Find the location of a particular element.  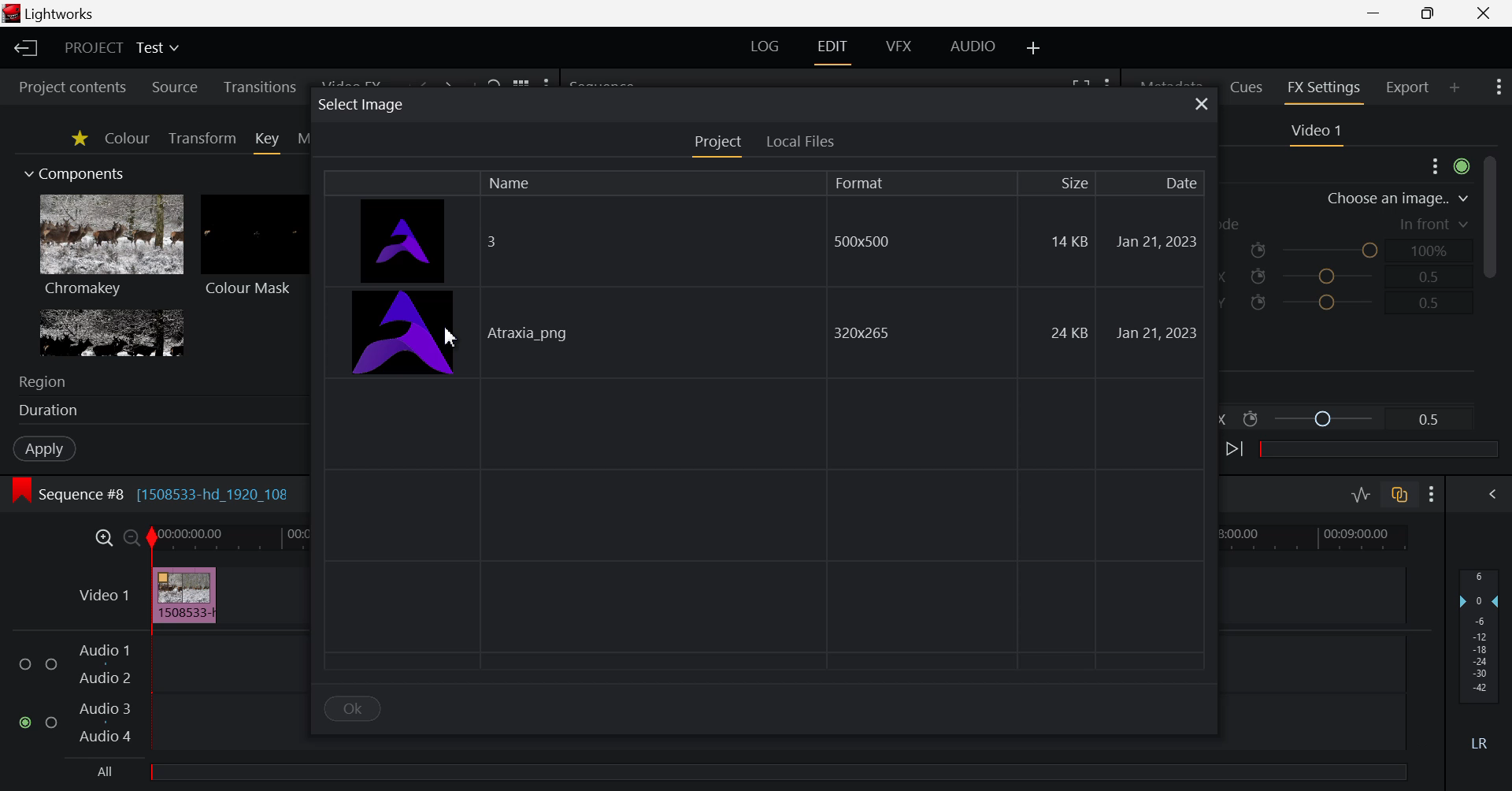

320x265 is located at coordinates (865, 333).